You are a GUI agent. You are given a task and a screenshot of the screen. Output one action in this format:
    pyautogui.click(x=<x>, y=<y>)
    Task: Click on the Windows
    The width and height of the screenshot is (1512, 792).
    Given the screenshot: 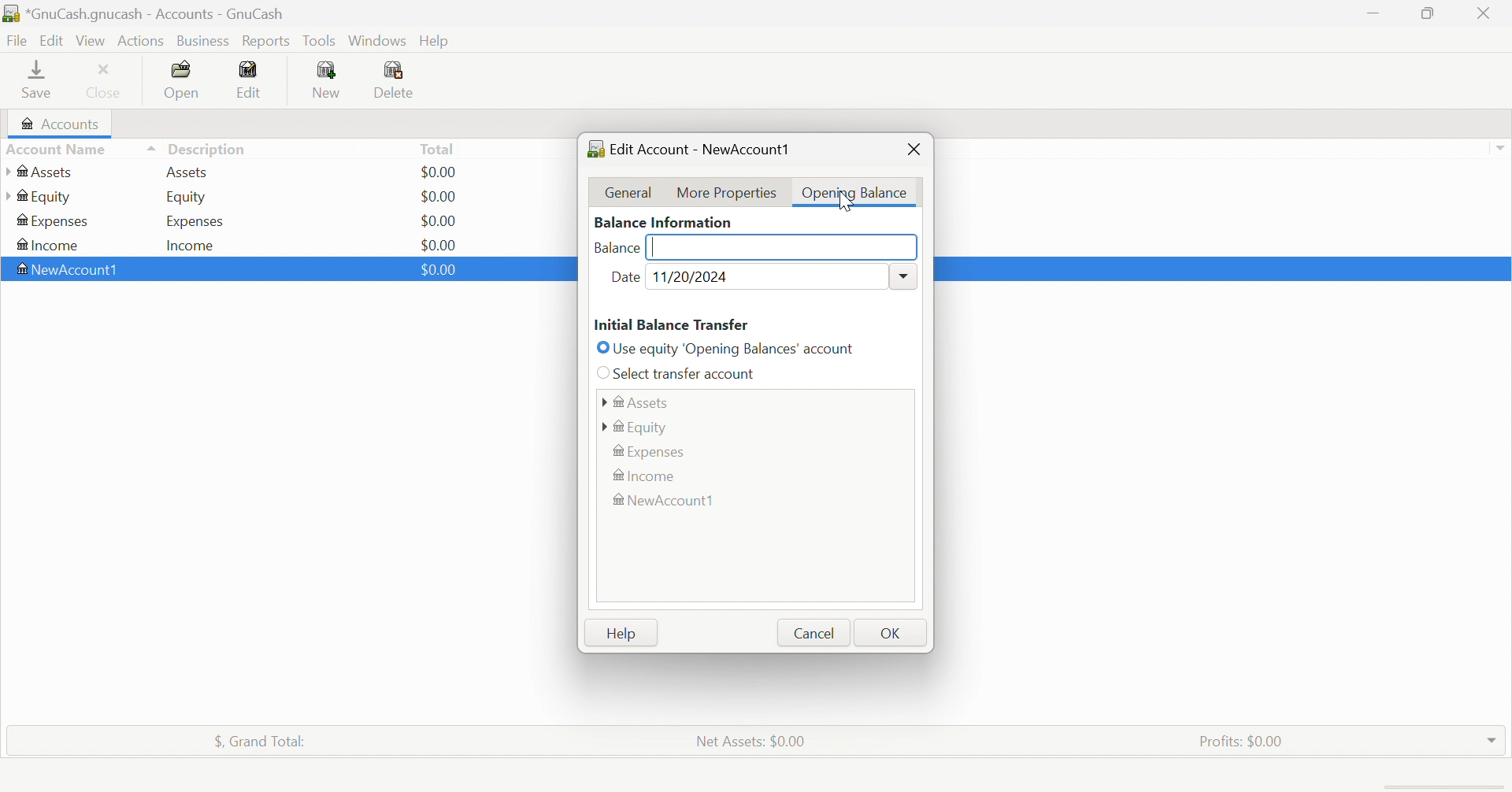 What is the action you would take?
    pyautogui.click(x=376, y=40)
    